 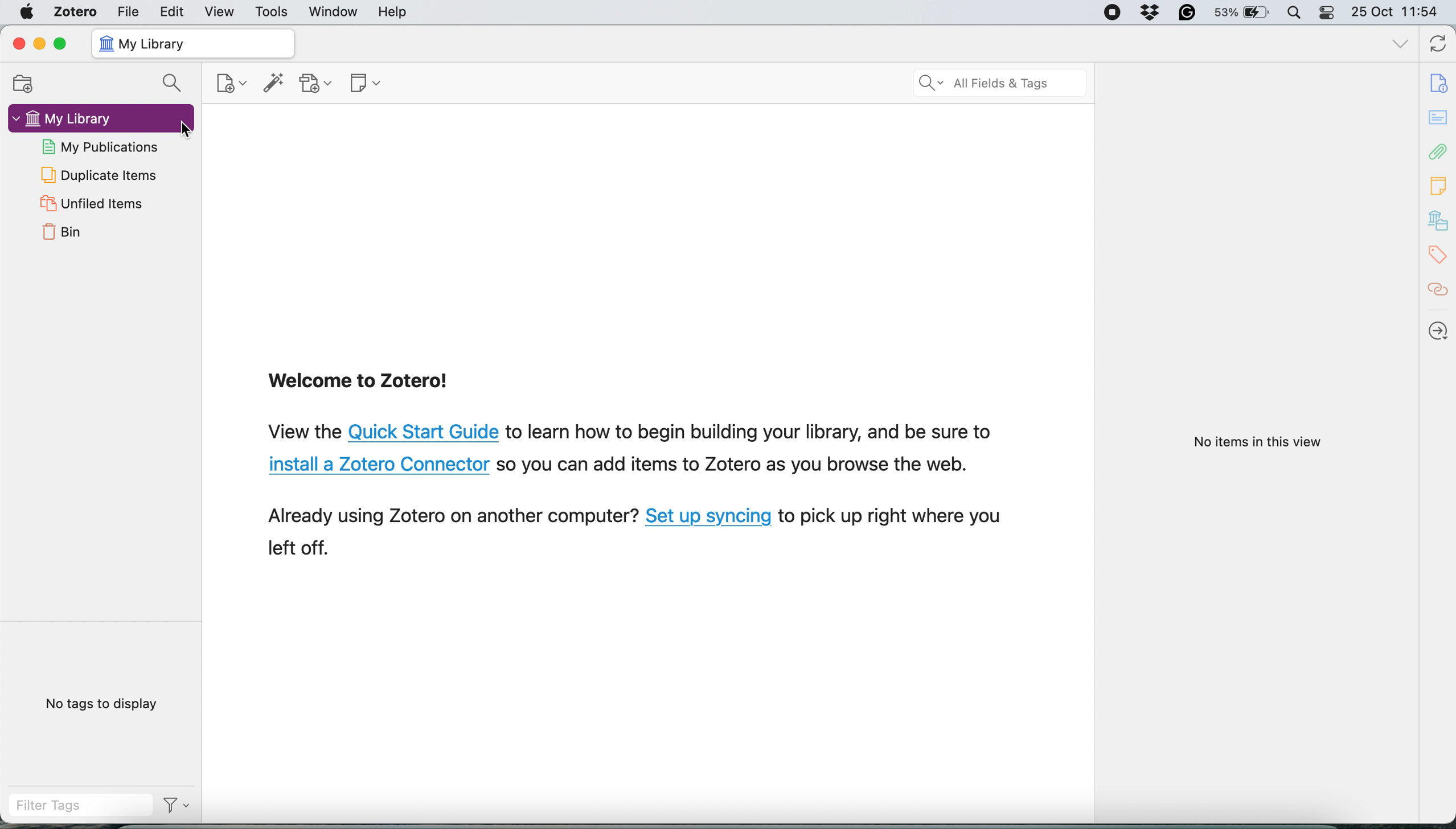 I want to click on tools, so click(x=269, y=11).